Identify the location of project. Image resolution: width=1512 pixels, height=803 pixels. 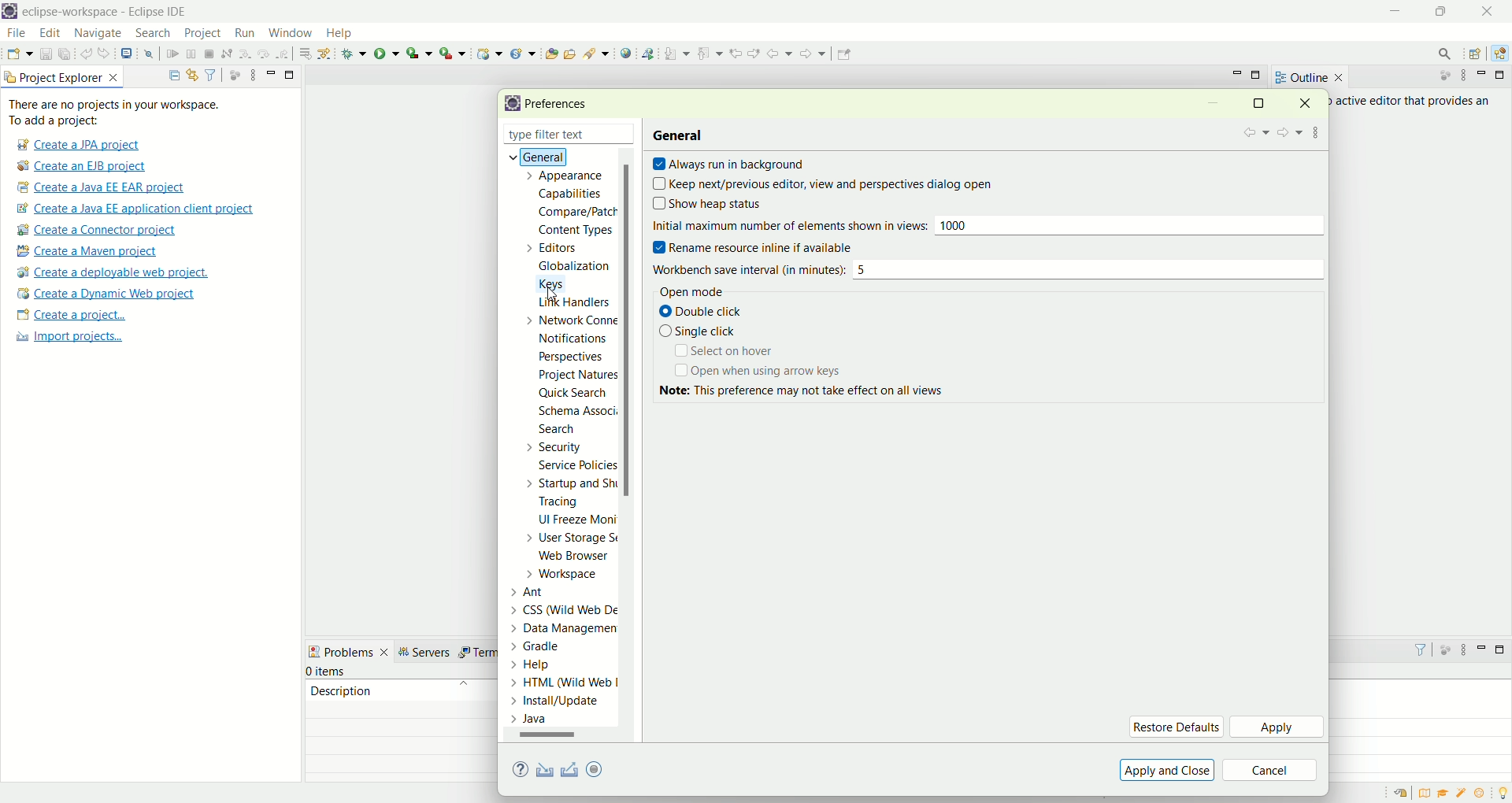
(202, 33).